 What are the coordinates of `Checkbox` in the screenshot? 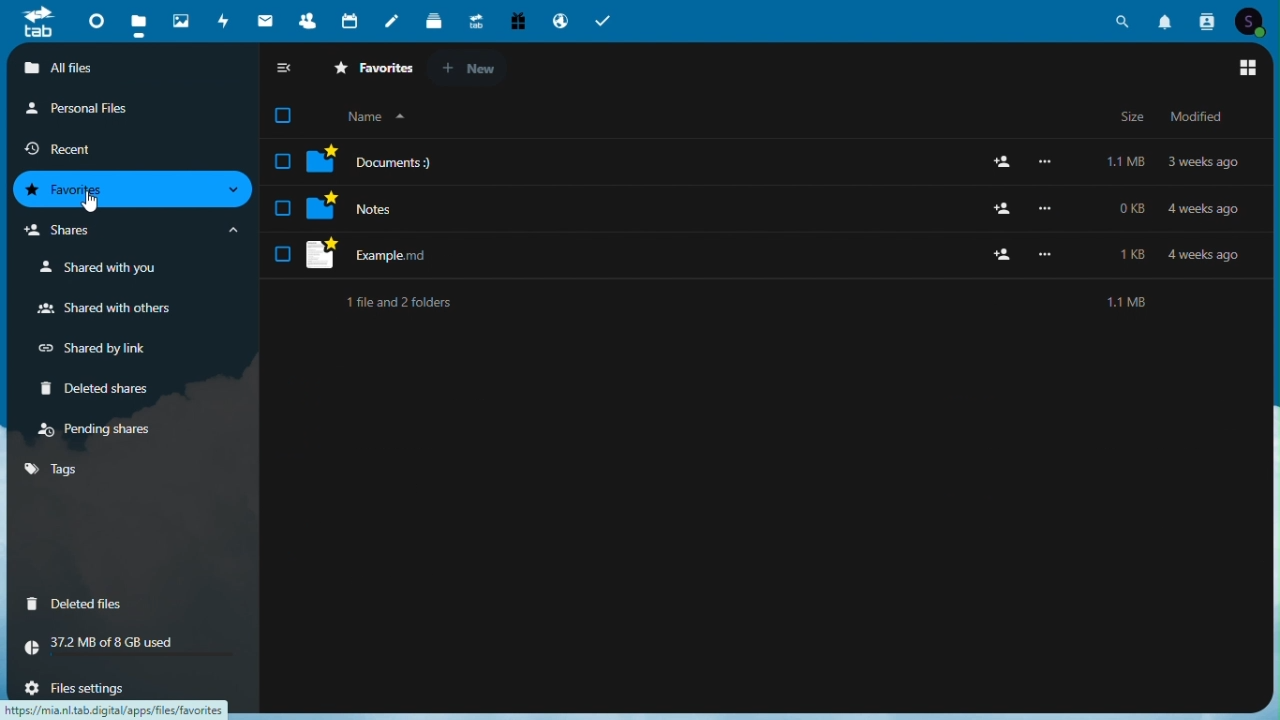 It's located at (283, 116).